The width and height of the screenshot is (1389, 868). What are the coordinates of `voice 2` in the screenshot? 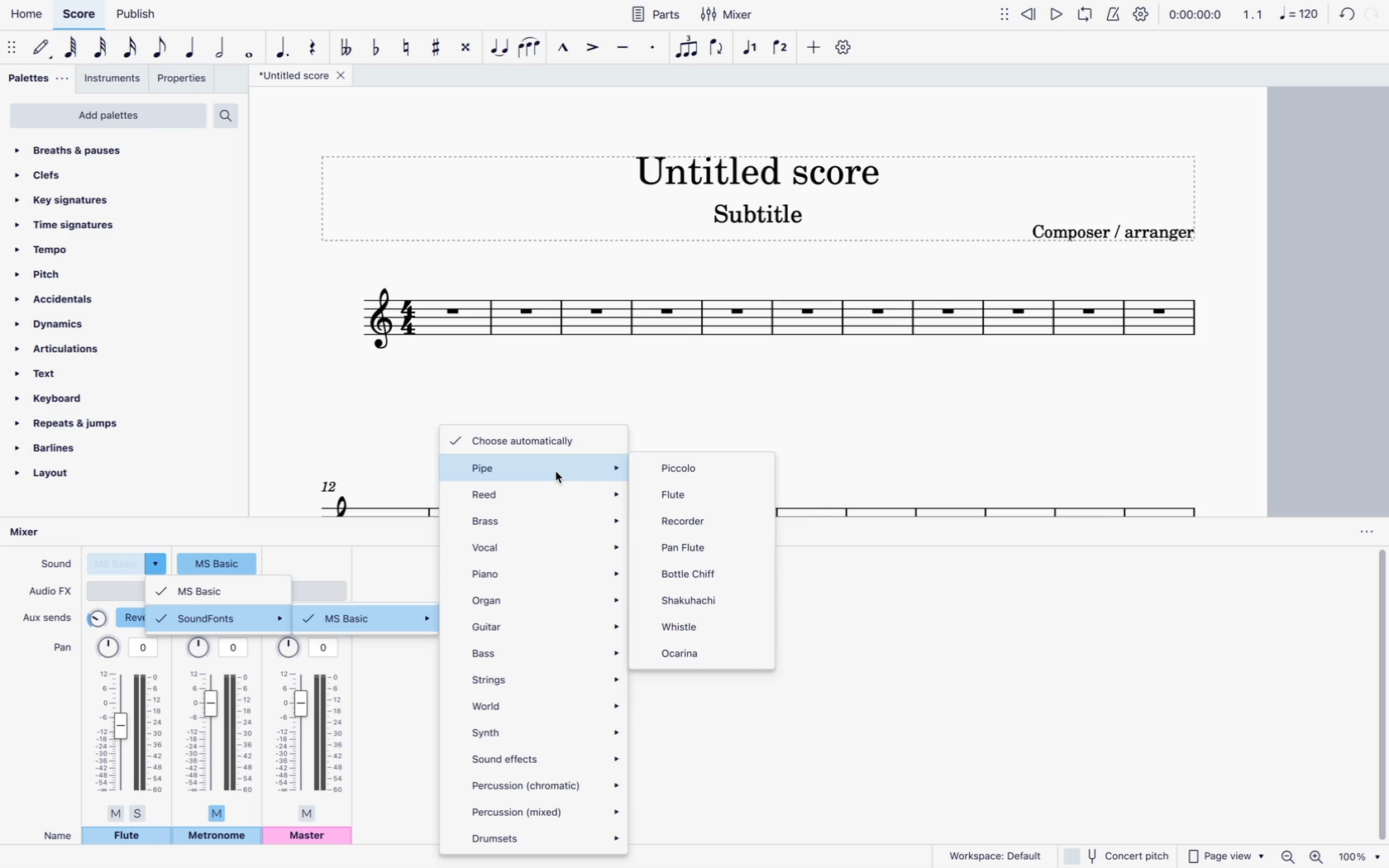 It's located at (782, 46).